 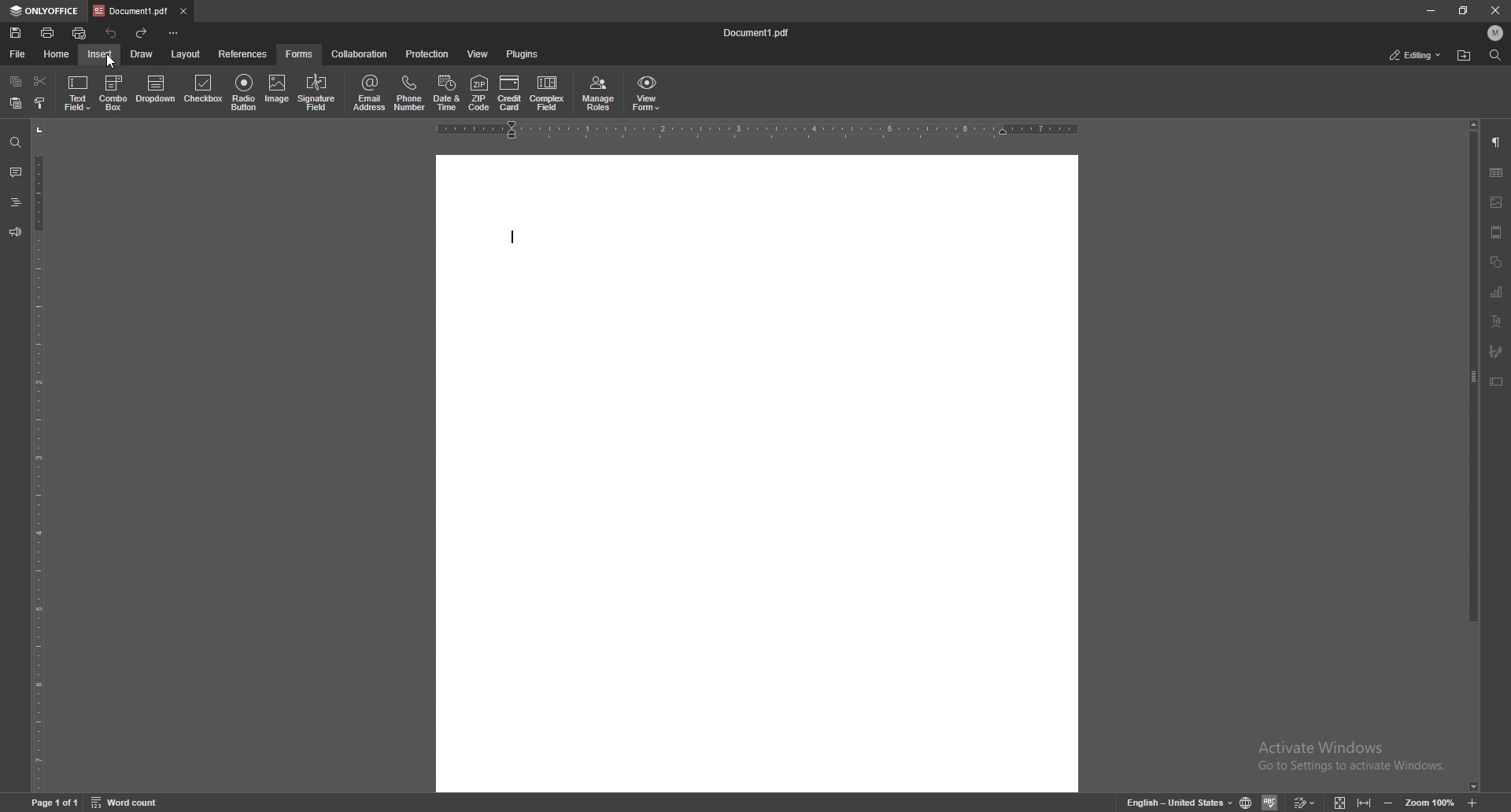 What do you see at coordinates (371, 93) in the screenshot?
I see `email address` at bounding box center [371, 93].